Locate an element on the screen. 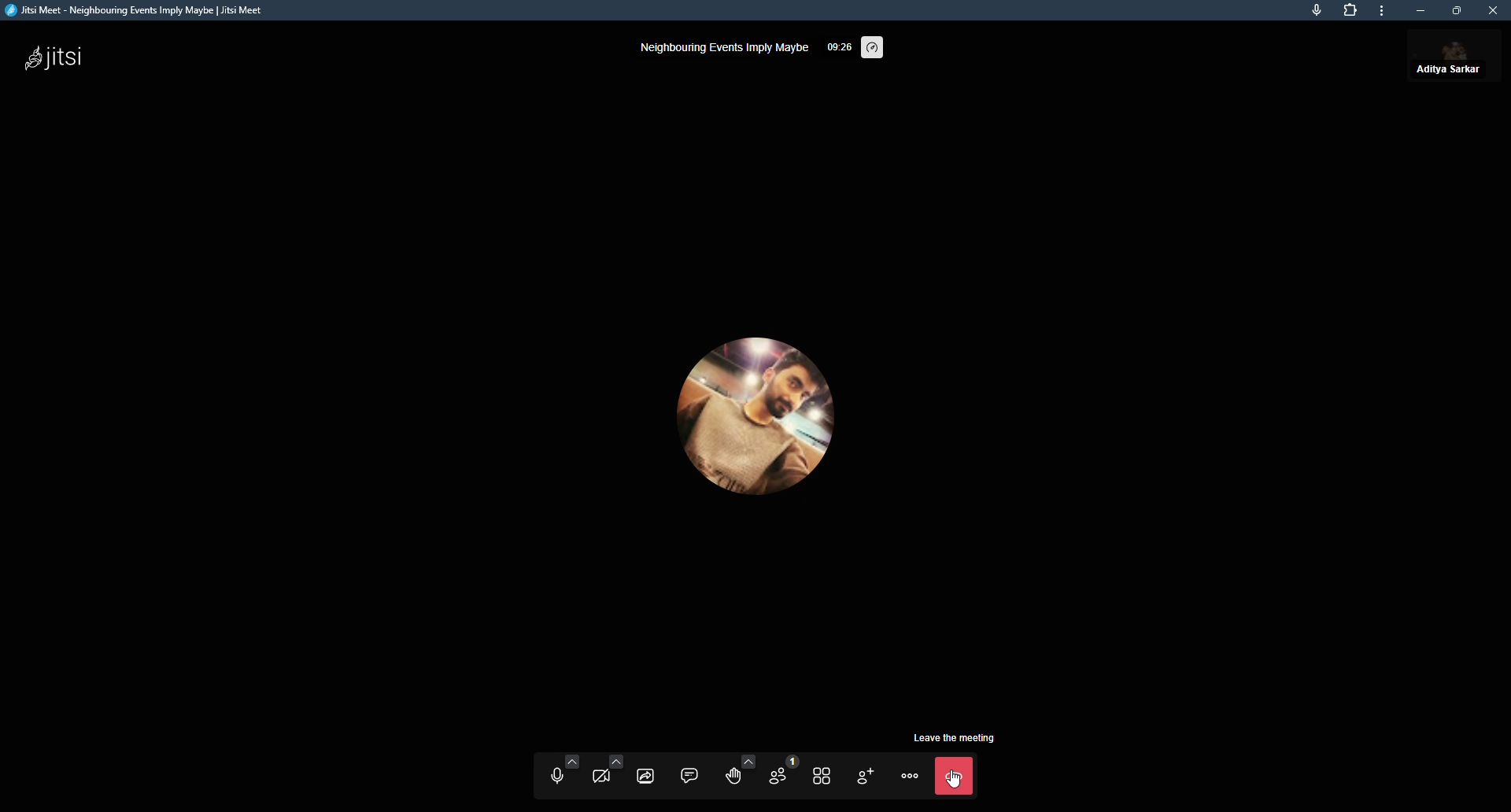 The width and height of the screenshot is (1511, 812). neighbouring events imply maybe is located at coordinates (726, 48).